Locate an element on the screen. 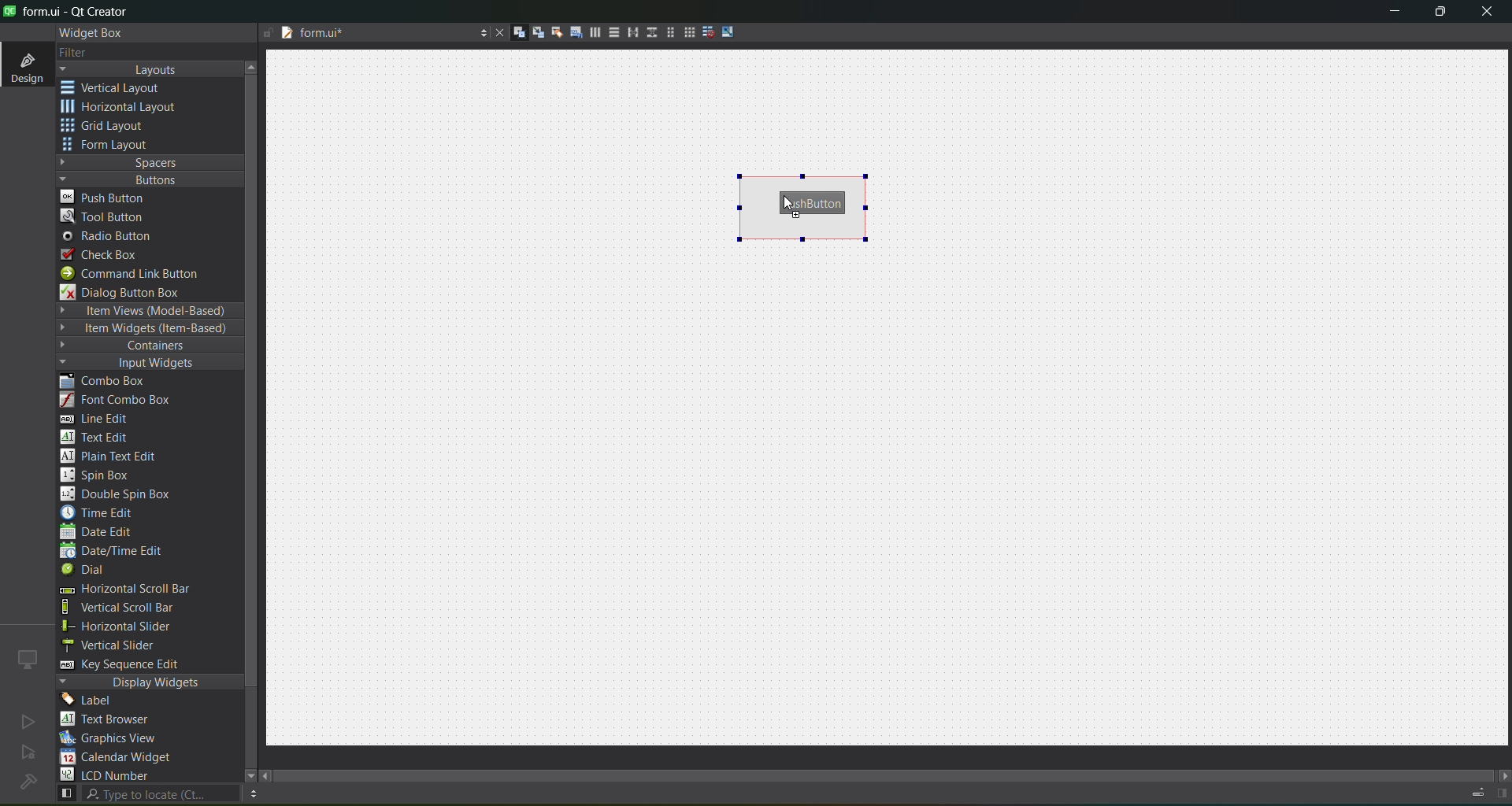 This screenshot has width=1512, height=806. input widgets is located at coordinates (142, 364).